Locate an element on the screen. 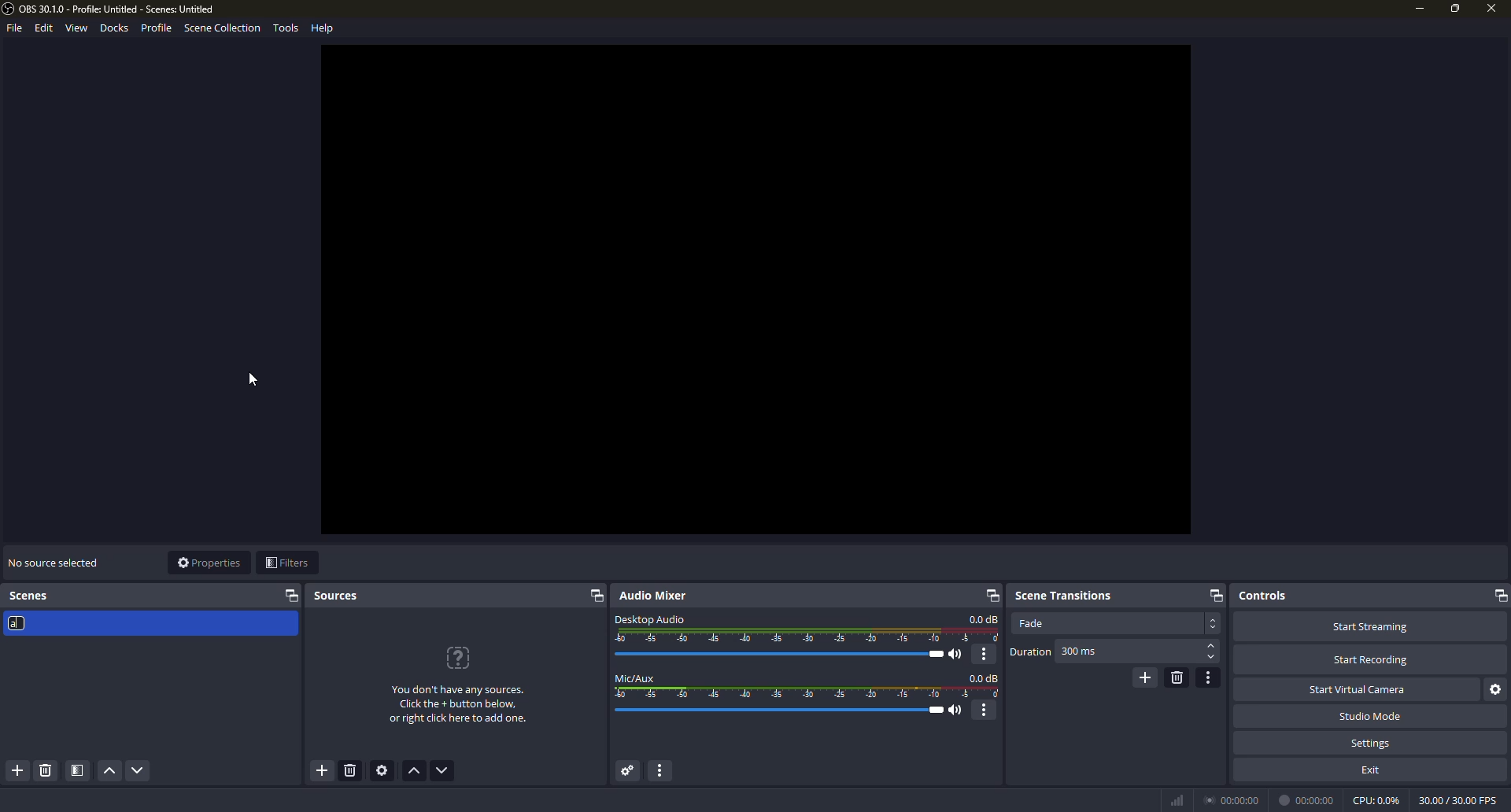  scenes is located at coordinates (31, 596).